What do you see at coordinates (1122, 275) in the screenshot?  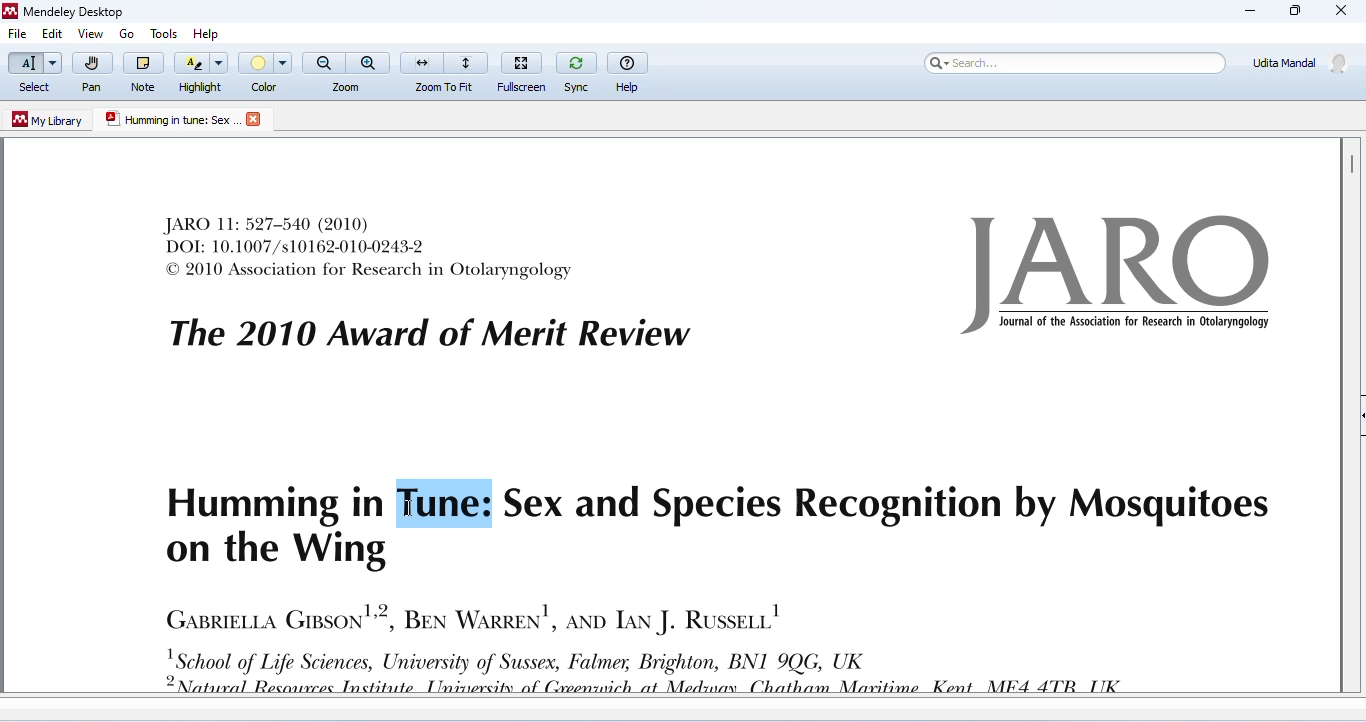 I see `JARO Journal of the Association for Research in Otolaryngology` at bounding box center [1122, 275].